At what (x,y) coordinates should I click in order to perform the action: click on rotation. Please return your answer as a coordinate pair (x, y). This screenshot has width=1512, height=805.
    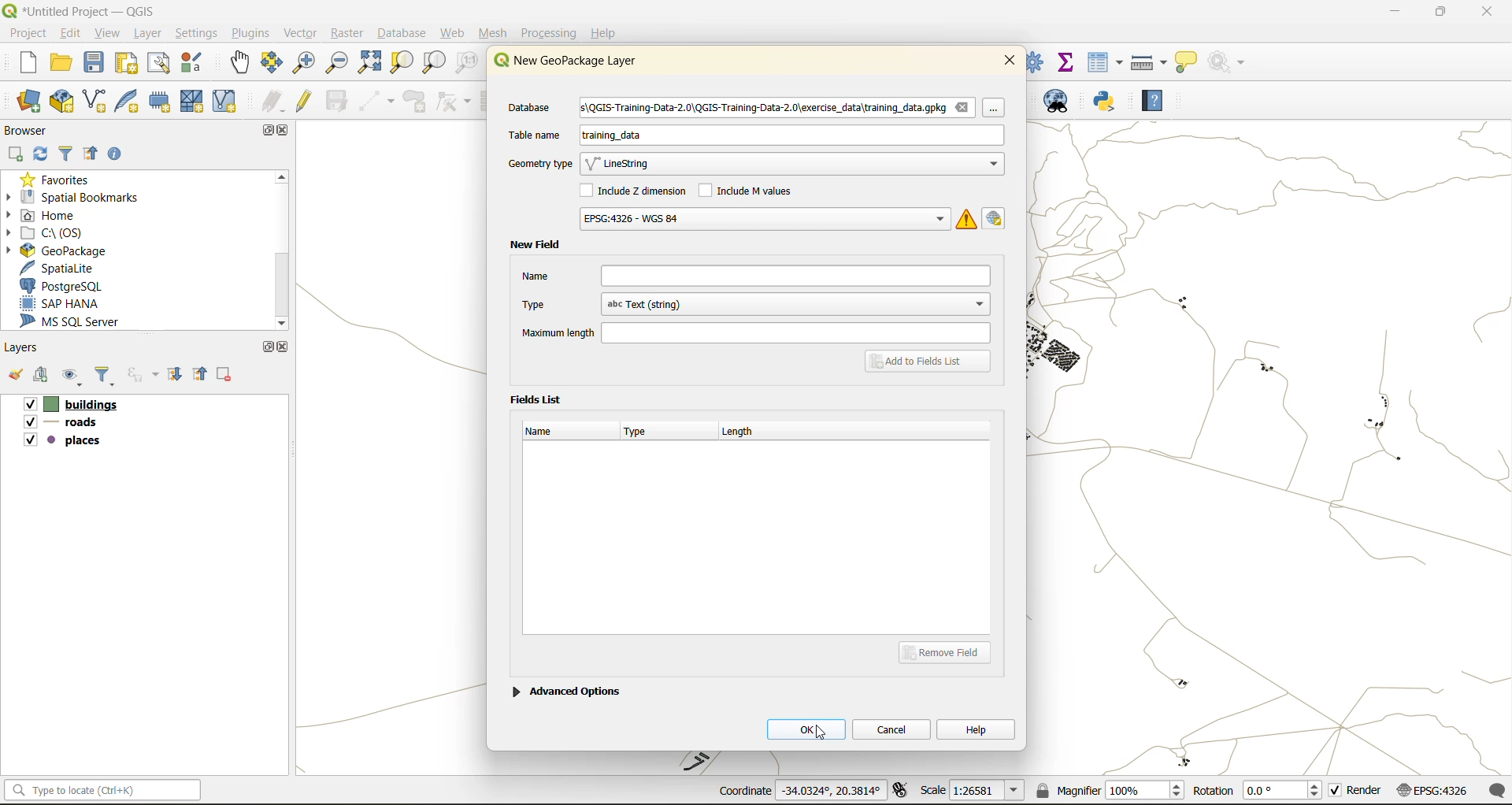
    Looking at the image, I should click on (1258, 792).